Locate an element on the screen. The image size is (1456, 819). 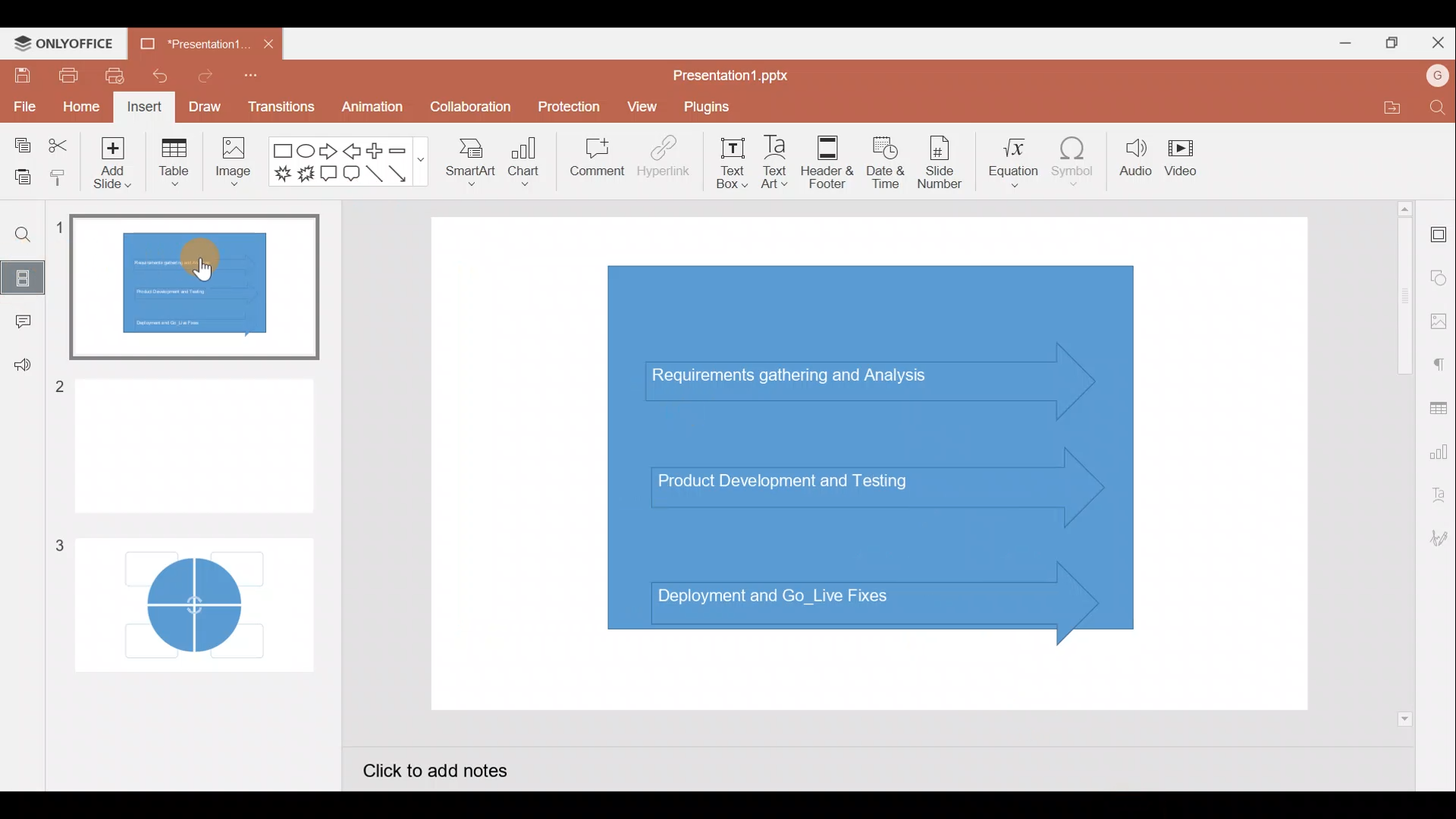
Copy style is located at coordinates (59, 177).